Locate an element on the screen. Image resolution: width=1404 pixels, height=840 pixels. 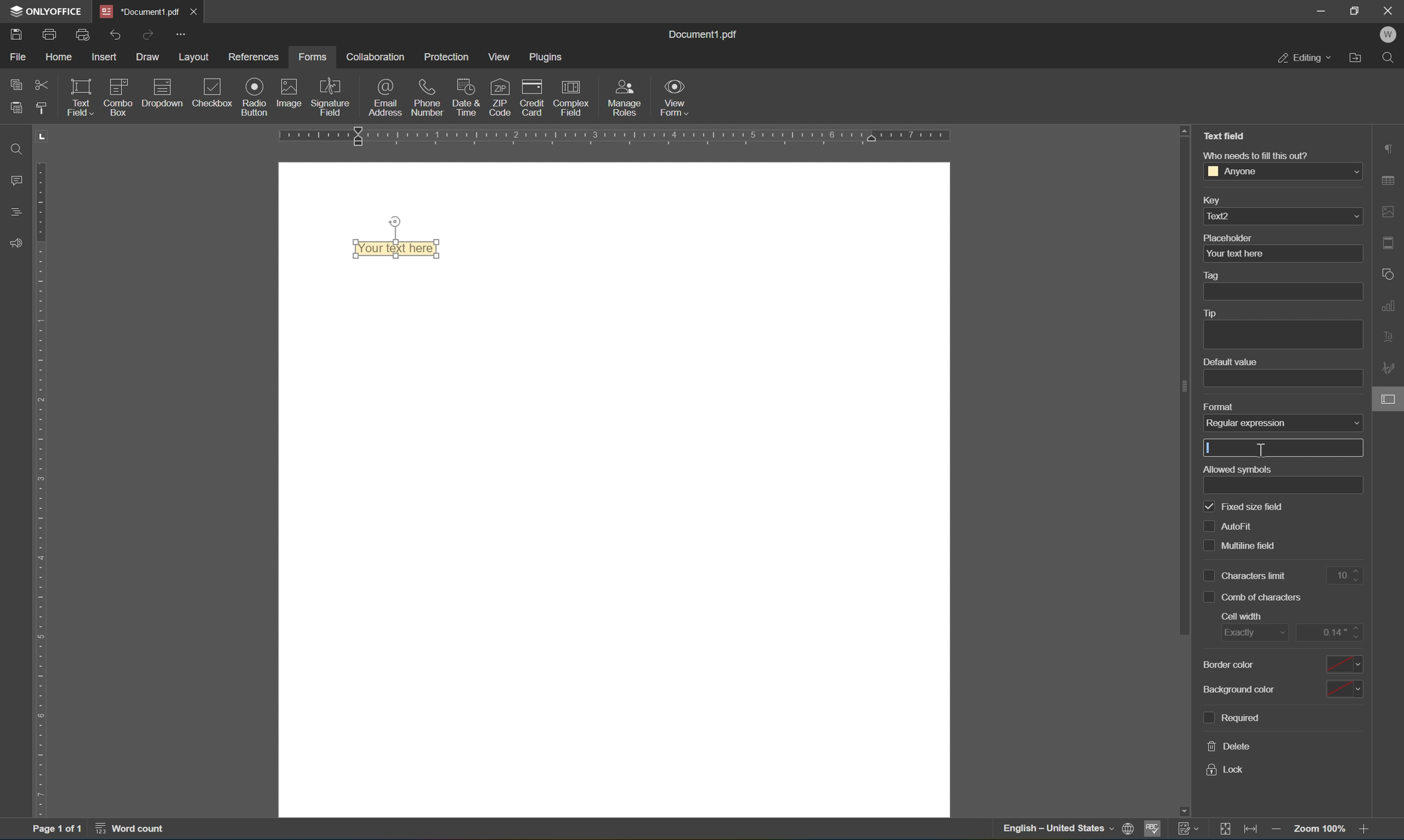
plugins is located at coordinates (549, 57).